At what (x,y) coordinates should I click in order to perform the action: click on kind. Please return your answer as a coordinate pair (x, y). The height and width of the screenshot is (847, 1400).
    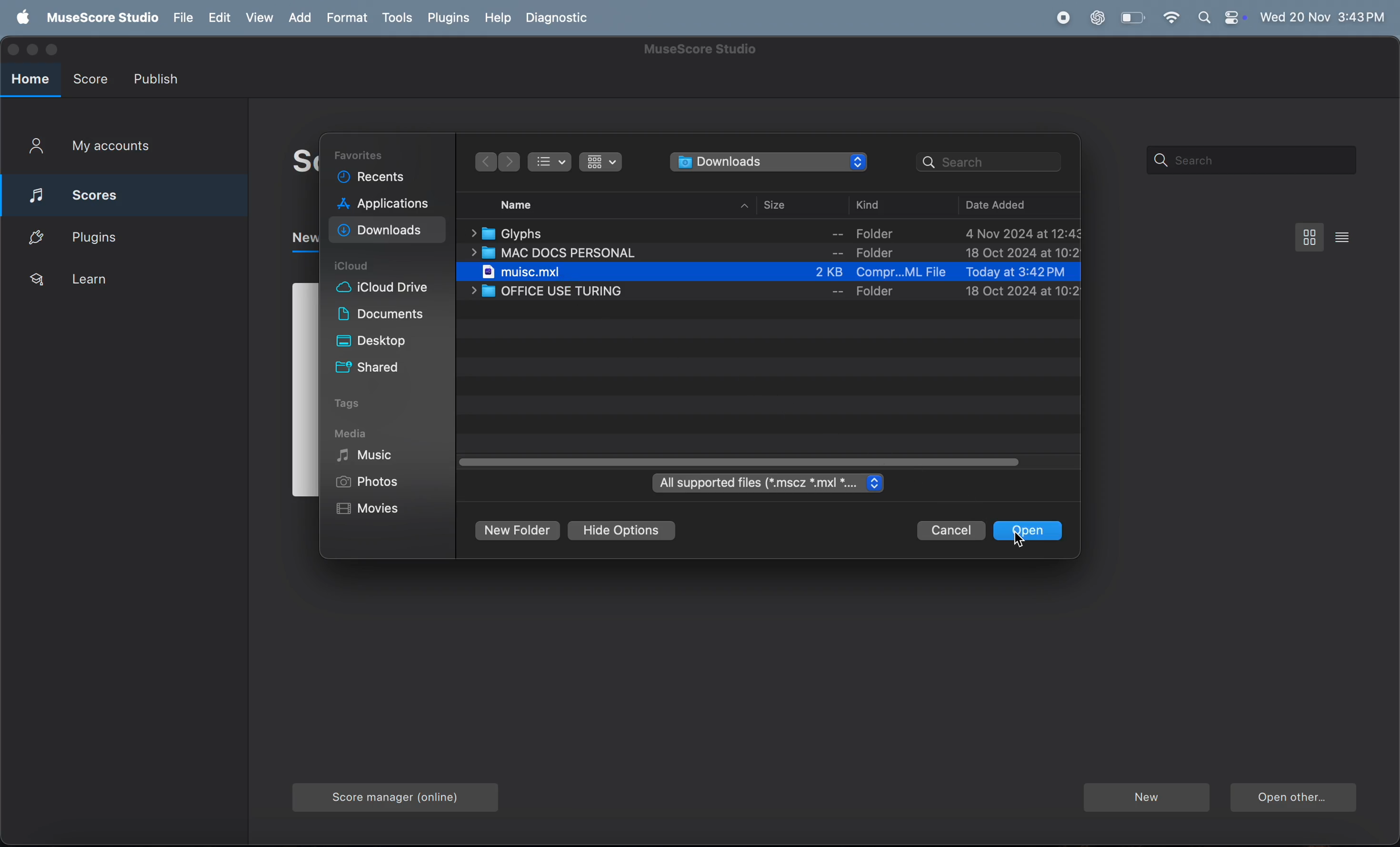
    Looking at the image, I should click on (888, 204).